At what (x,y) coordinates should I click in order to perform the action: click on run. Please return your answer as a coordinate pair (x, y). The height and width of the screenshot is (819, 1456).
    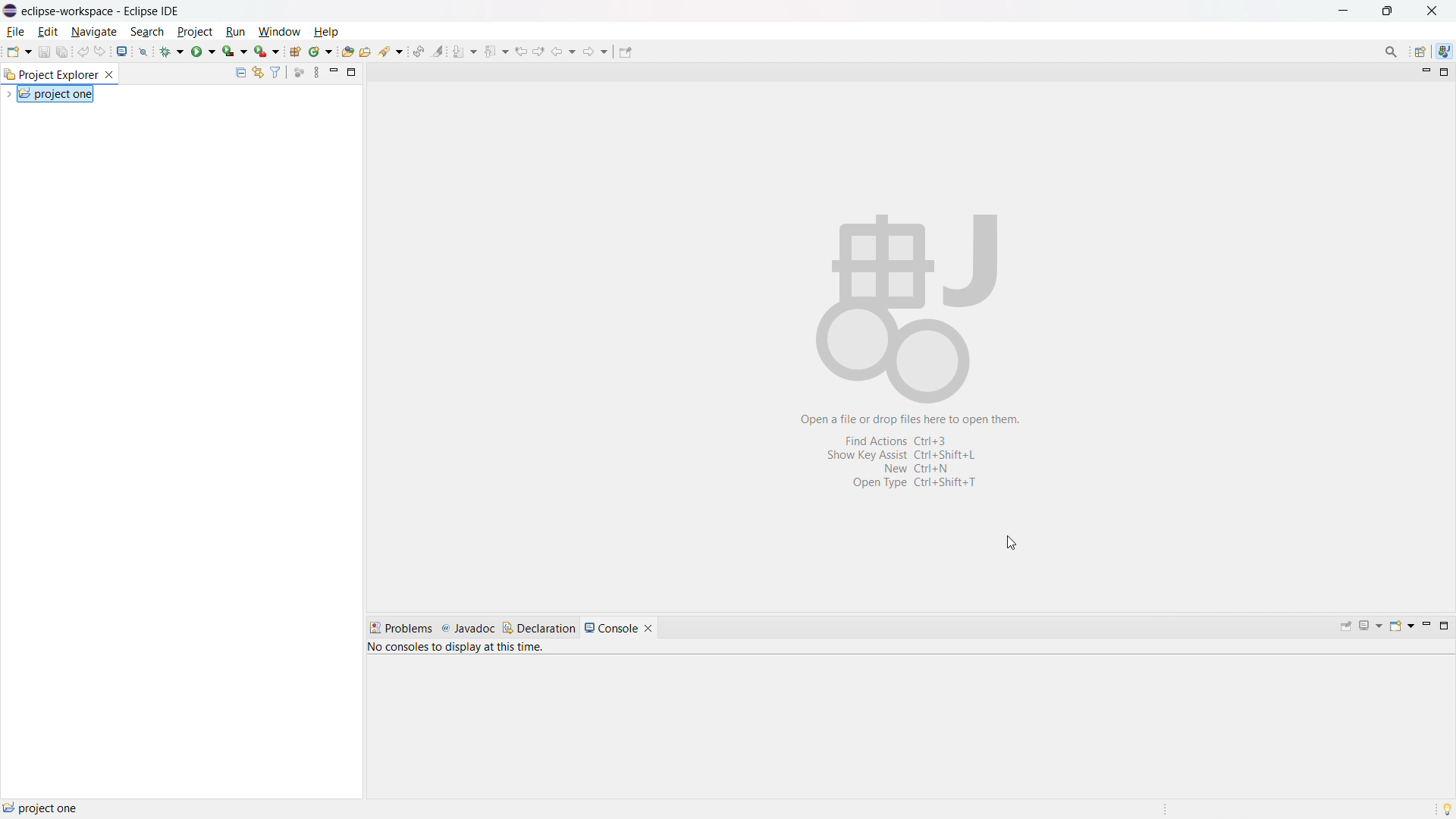
    Looking at the image, I should click on (236, 32).